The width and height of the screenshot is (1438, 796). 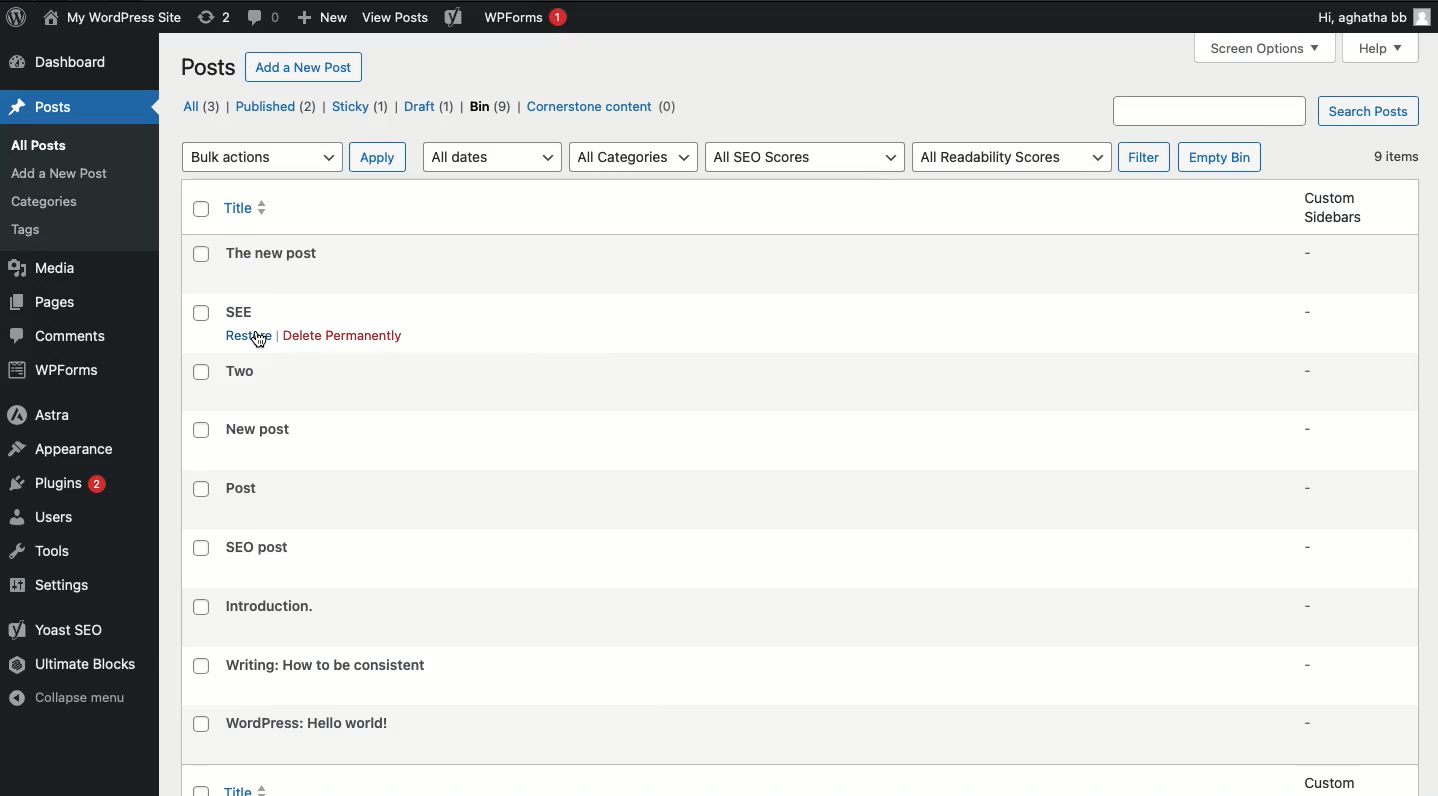 What do you see at coordinates (1396, 155) in the screenshot?
I see `9 items` at bounding box center [1396, 155].